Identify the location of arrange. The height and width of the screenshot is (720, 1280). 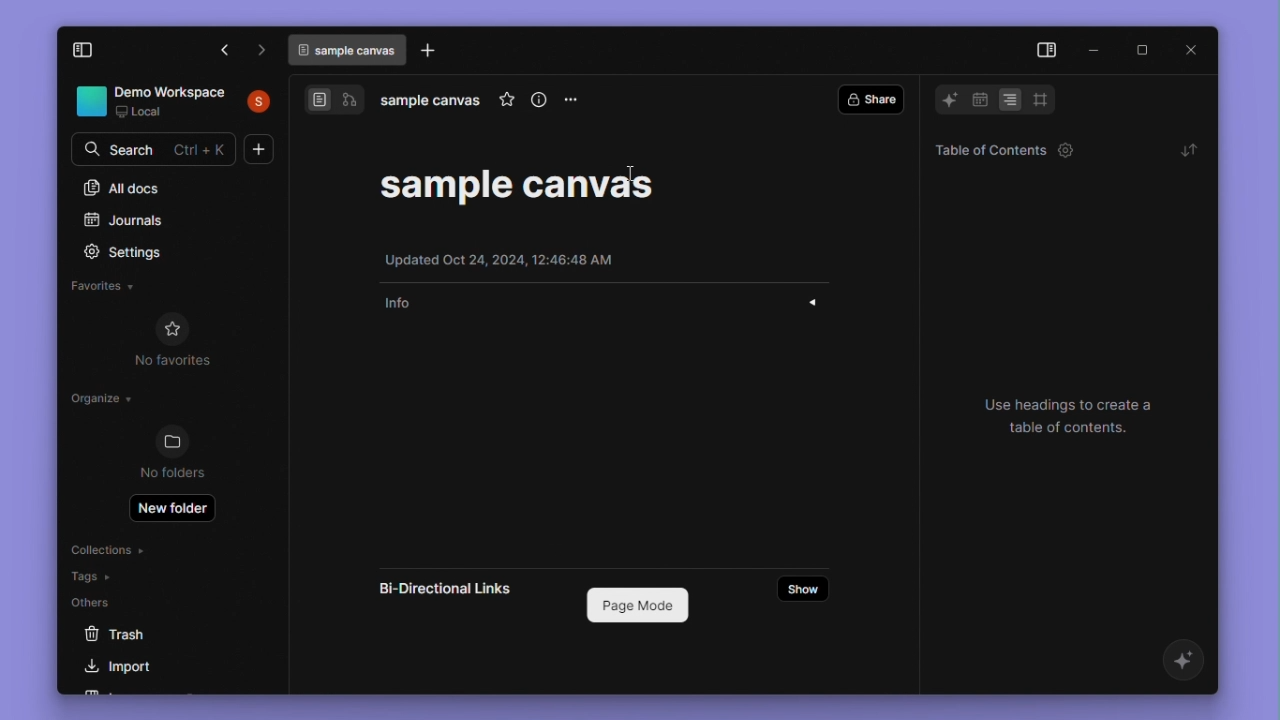
(1187, 149).